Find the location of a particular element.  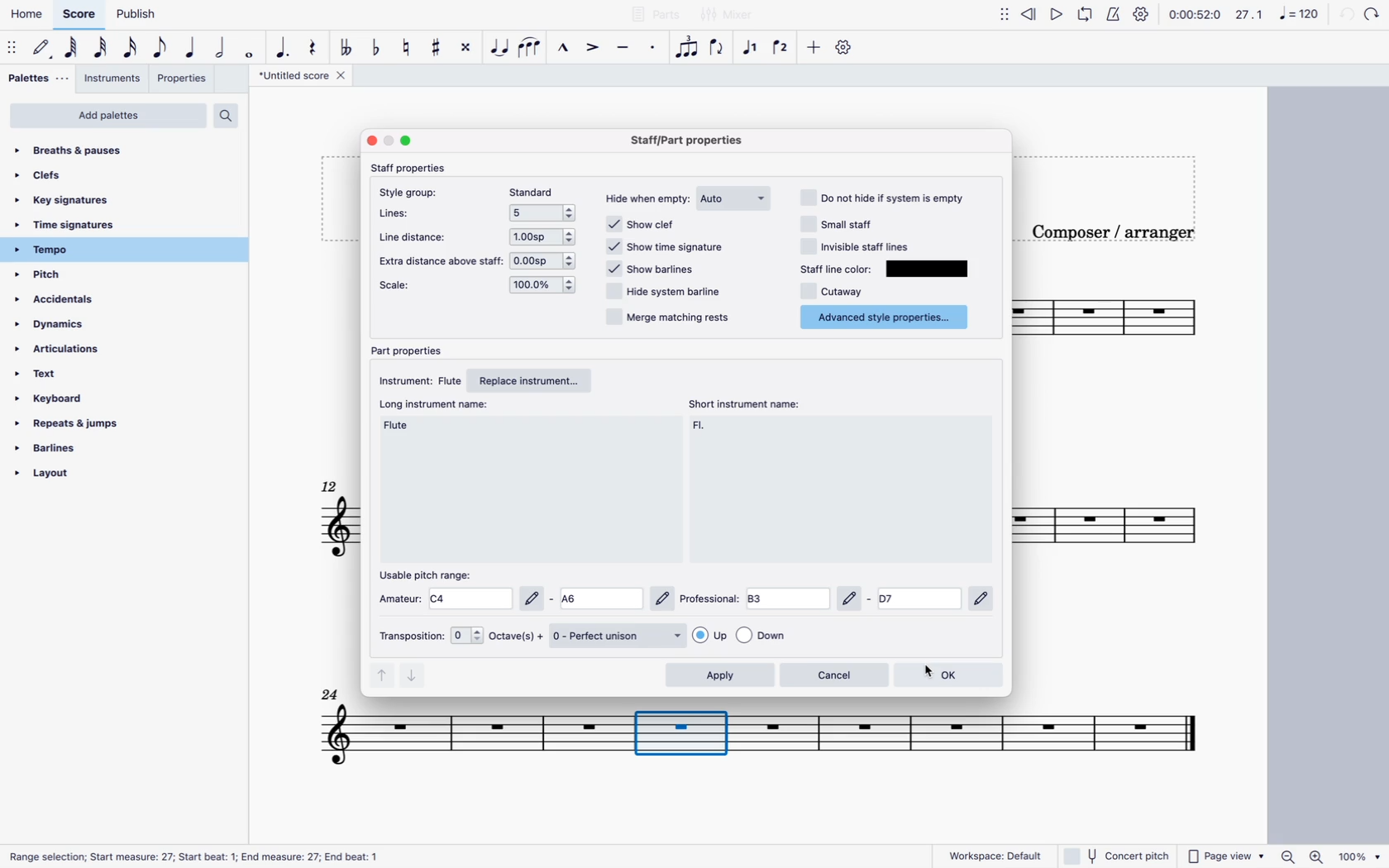

professional options is located at coordinates (789, 599).